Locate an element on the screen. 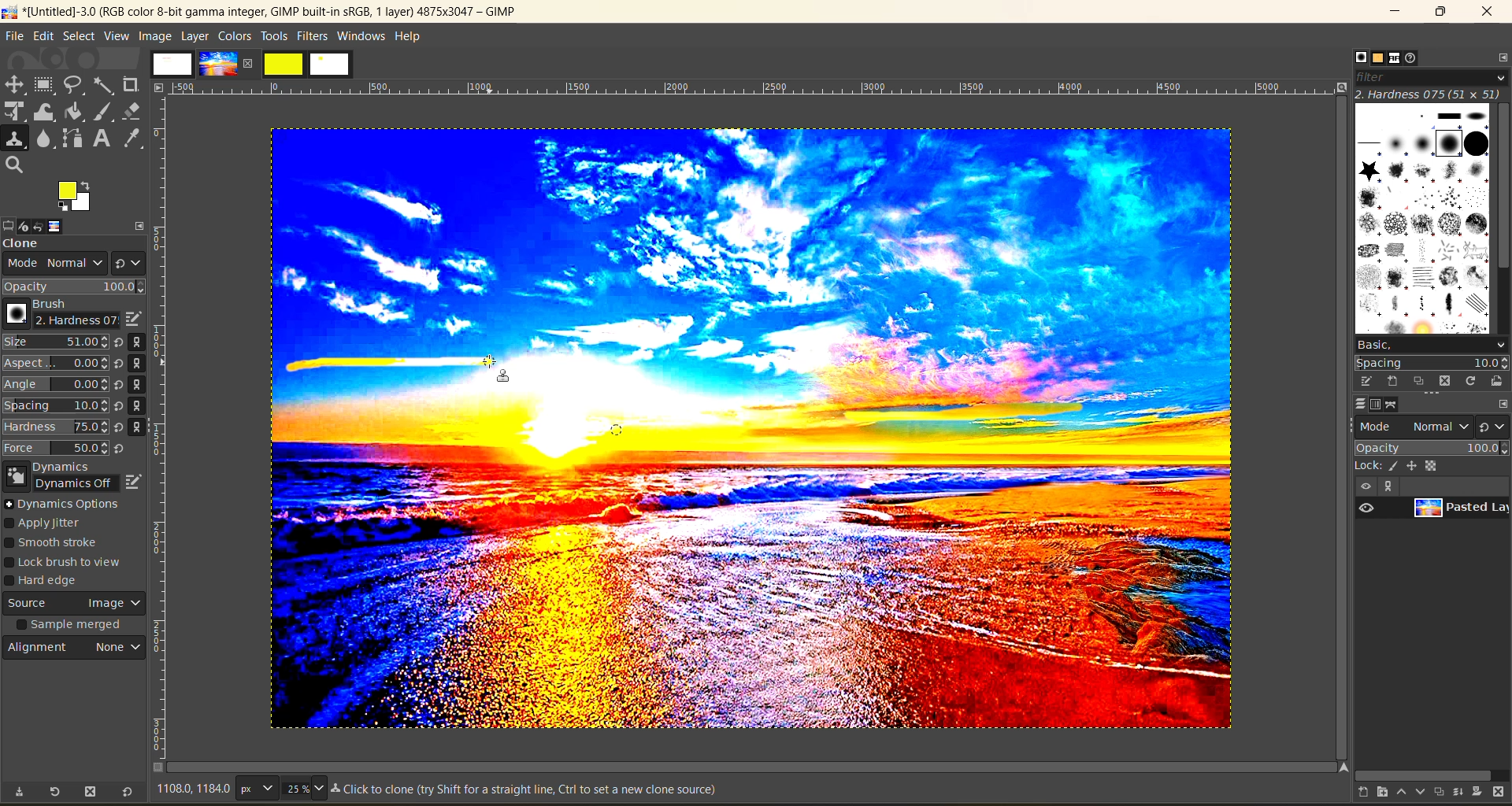 The width and height of the screenshot is (1512, 806). color picker tool is located at coordinates (135, 138).